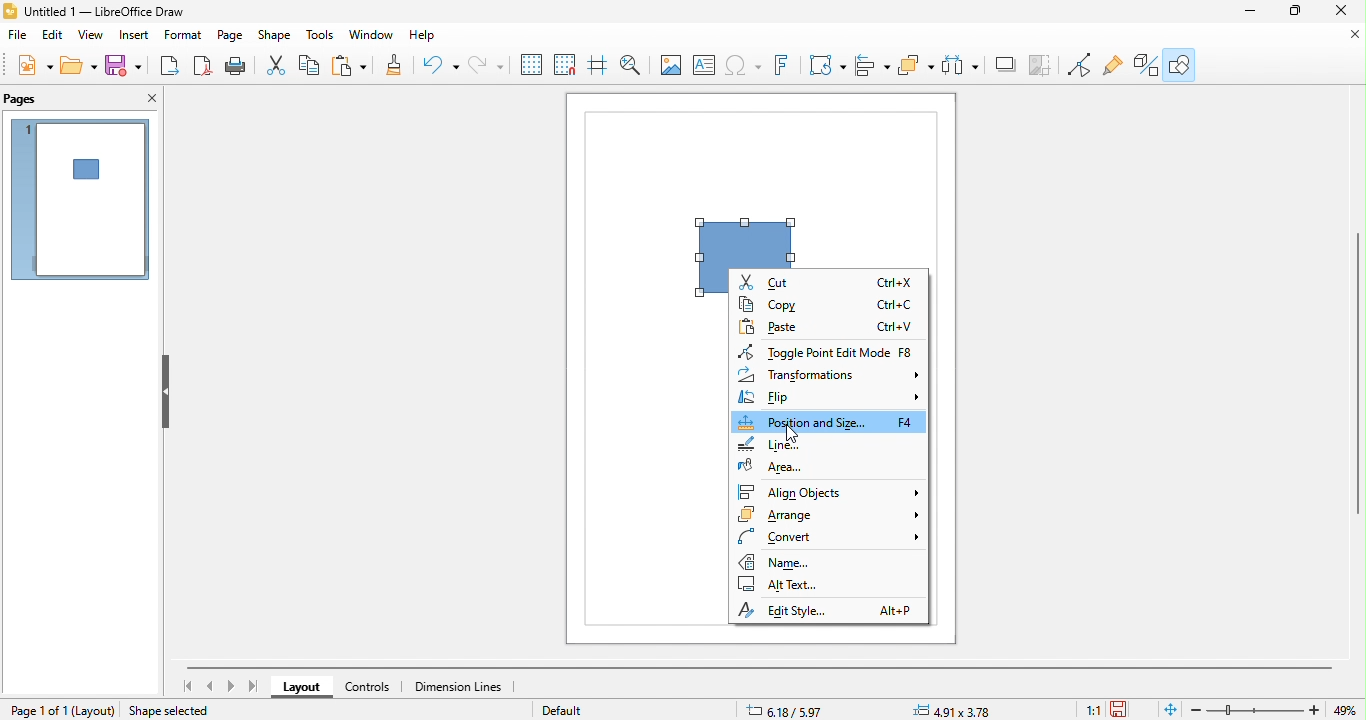 The height and width of the screenshot is (720, 1366). What do you see at coordinates (1005, 65) in the screenshot?
I see `crop image` at bounding box center [1005, 65].